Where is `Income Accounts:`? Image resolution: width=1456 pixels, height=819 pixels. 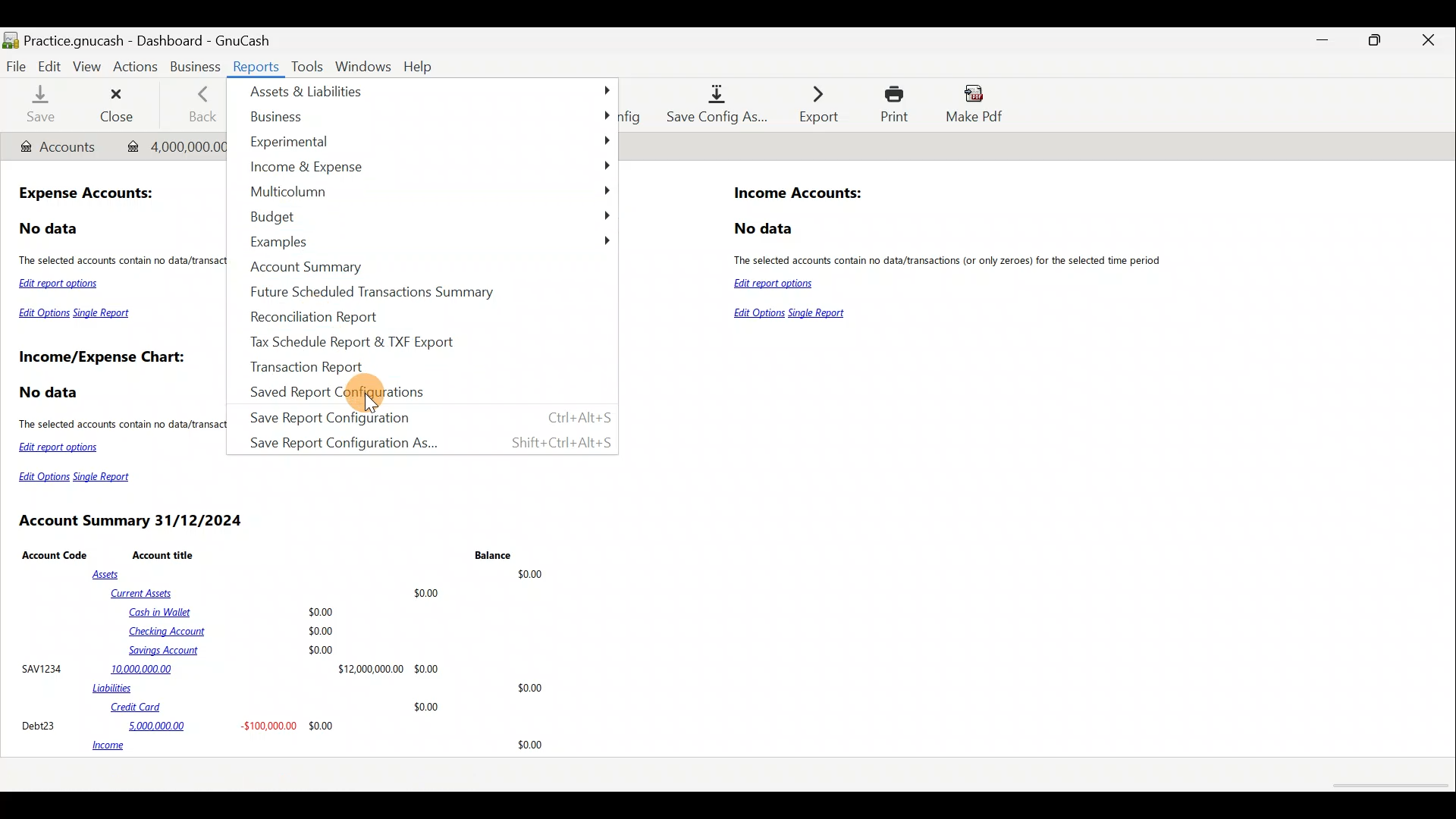
Income Accounts: is located at coordinates (799, 194).